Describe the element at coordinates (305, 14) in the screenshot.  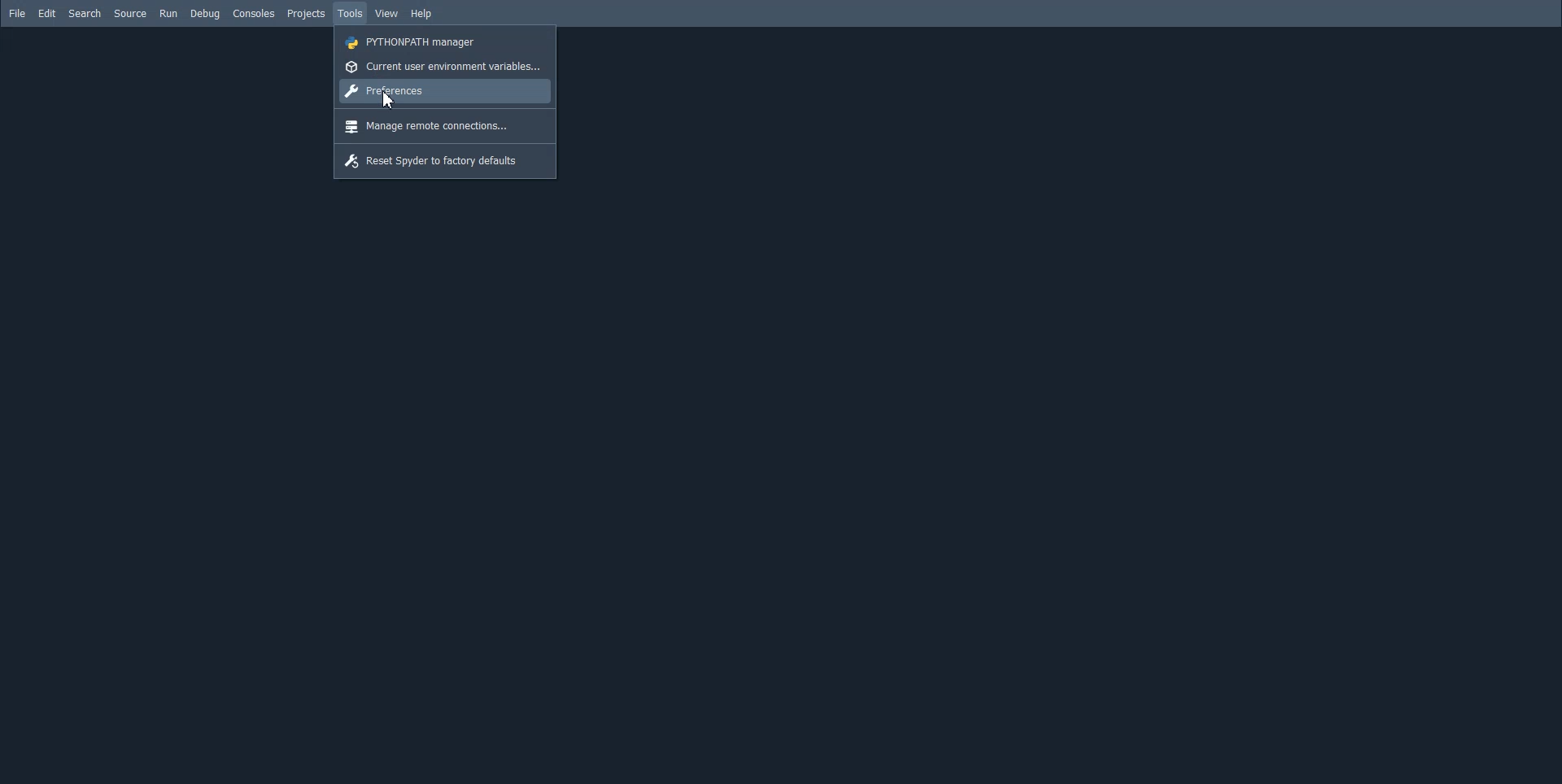
I see `Projects` at that location.